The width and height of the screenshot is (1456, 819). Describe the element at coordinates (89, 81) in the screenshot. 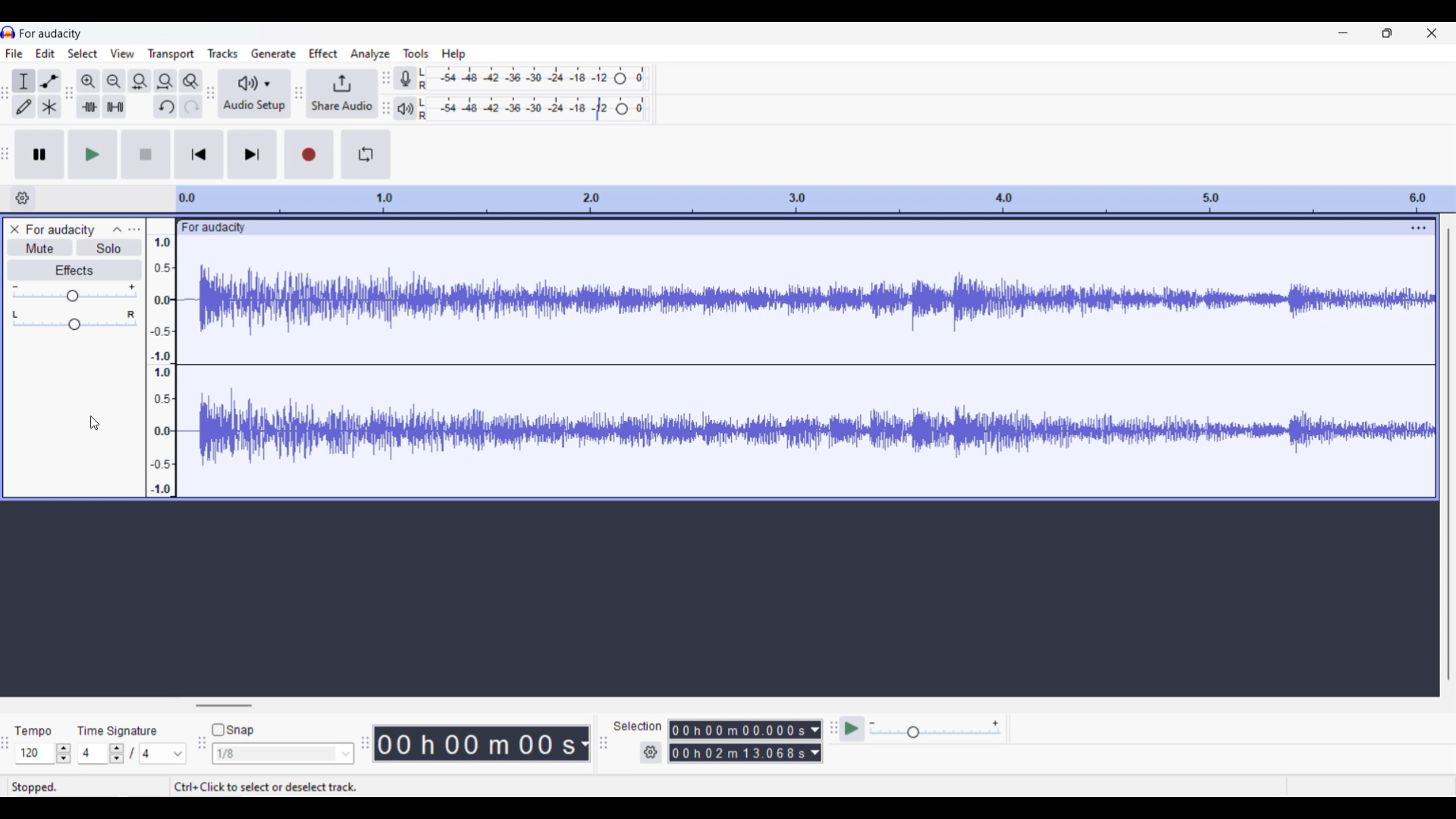

I see `Zoom in` at that location.